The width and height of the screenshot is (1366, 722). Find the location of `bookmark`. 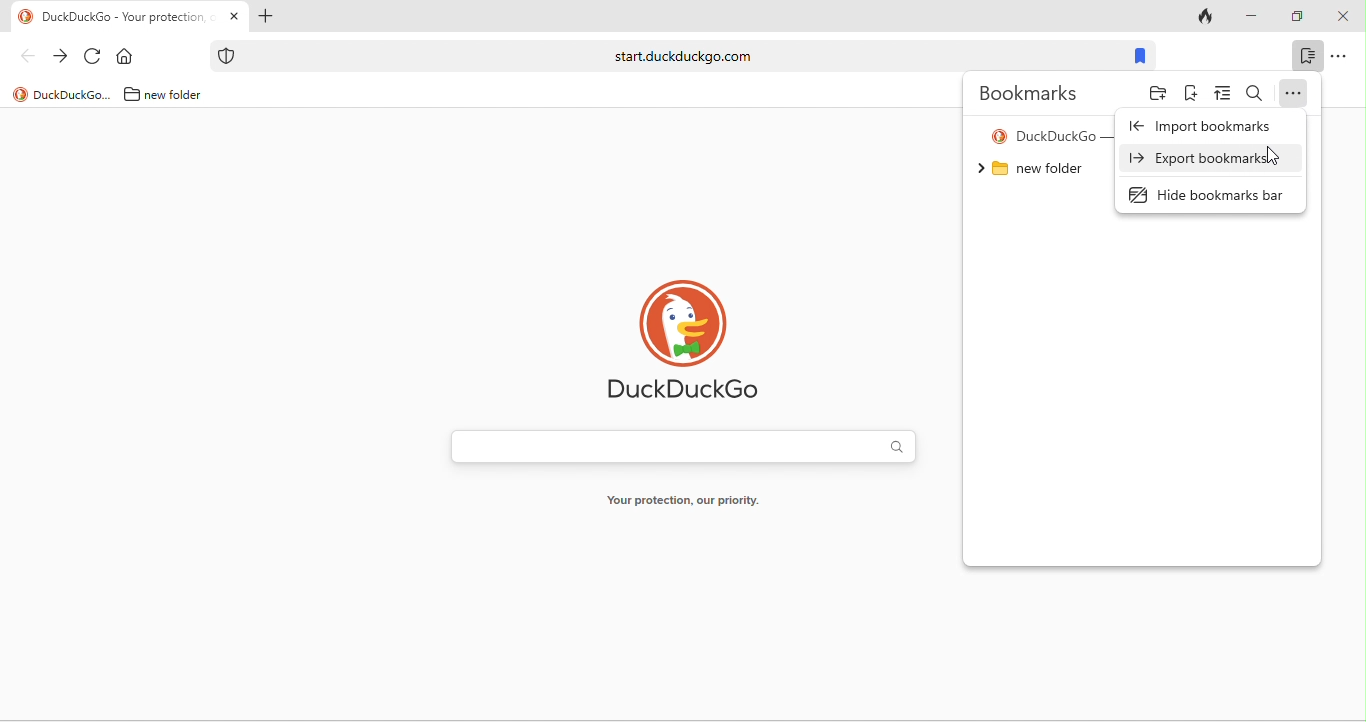

bookmark is located at coordinates (1191, 93).